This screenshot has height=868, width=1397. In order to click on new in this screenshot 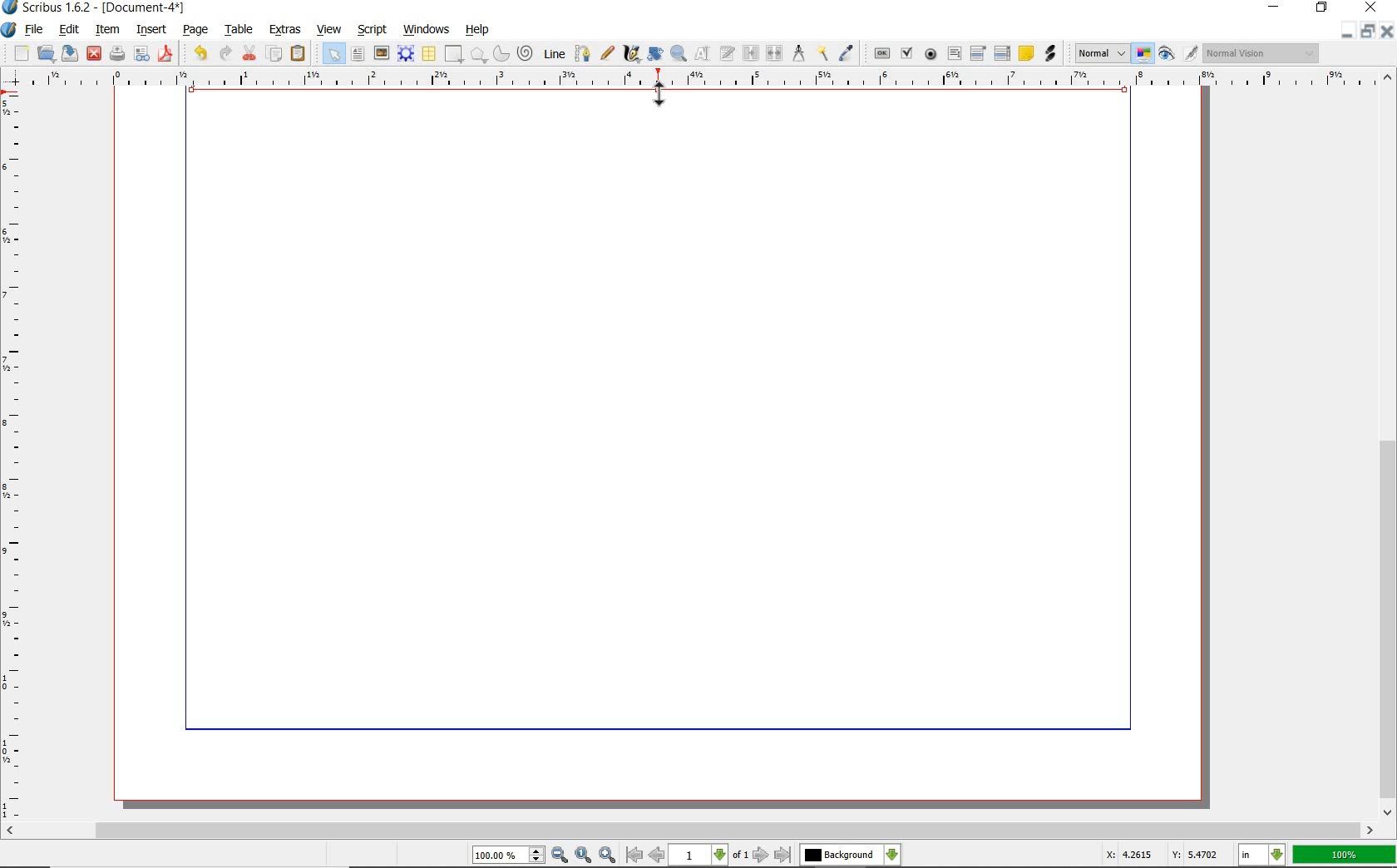, I will do `click(16, 53)`.